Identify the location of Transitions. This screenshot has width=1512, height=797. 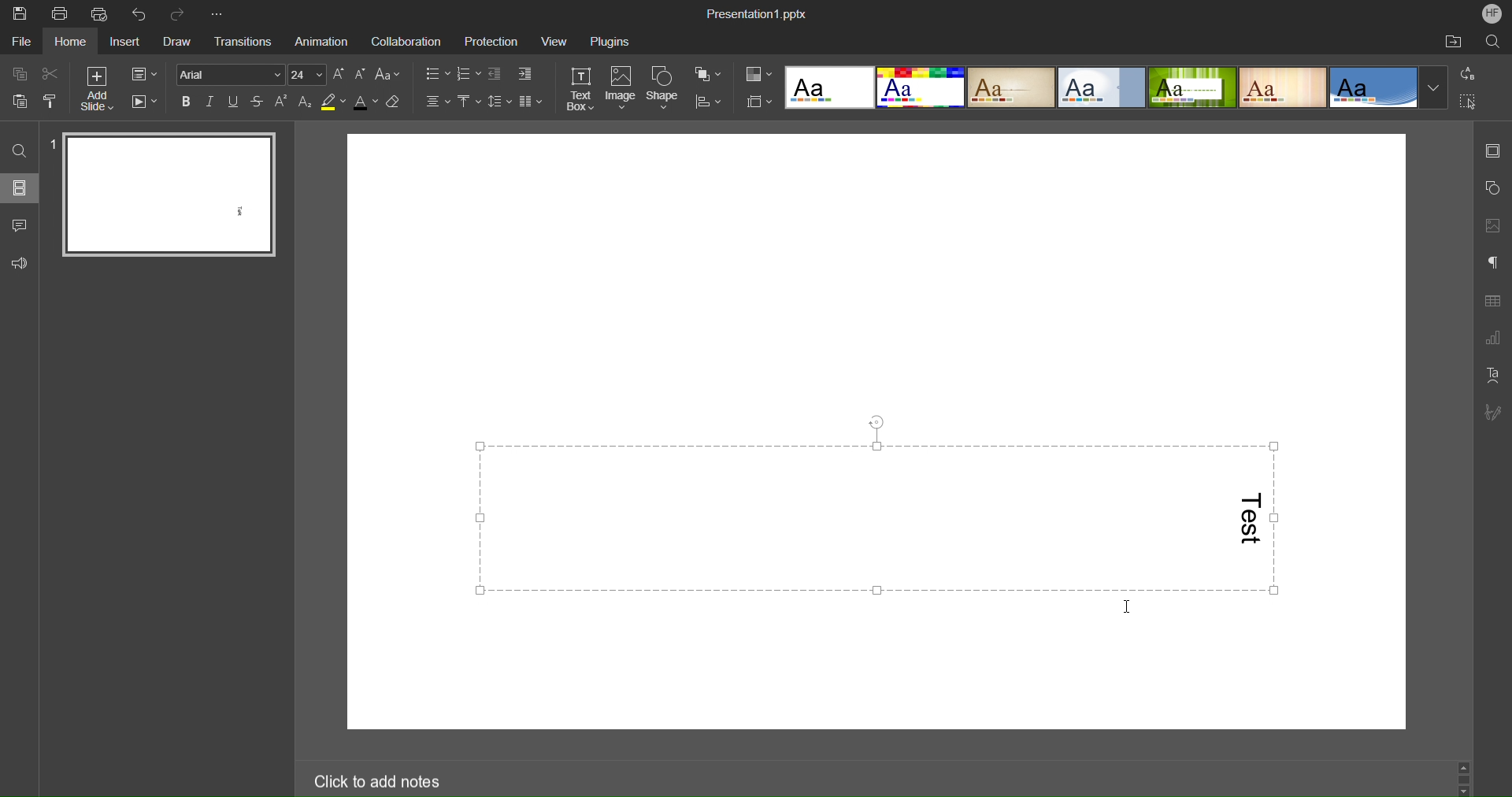
(247, 42).